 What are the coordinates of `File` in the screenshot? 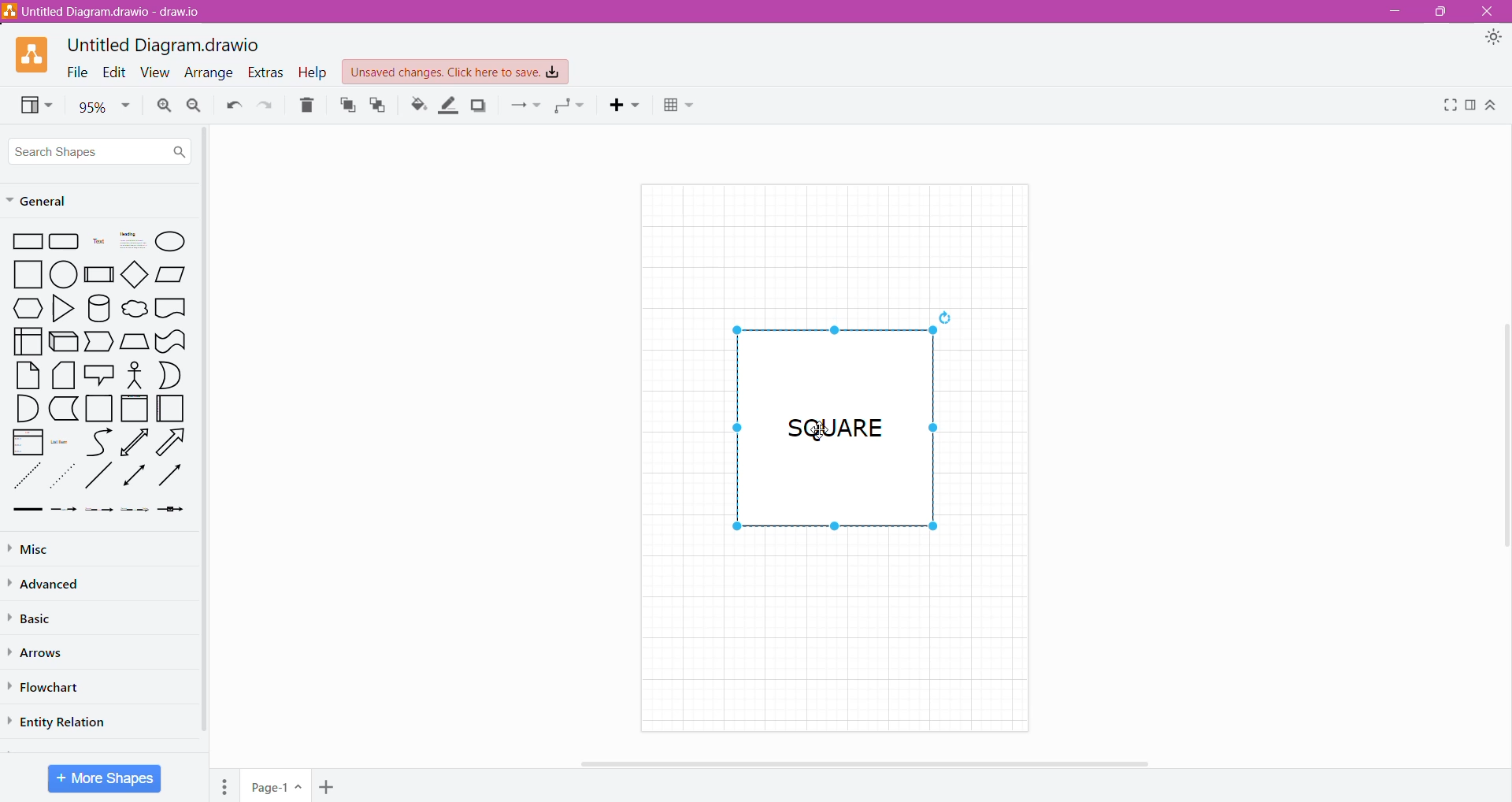 It's located at (78, 71).